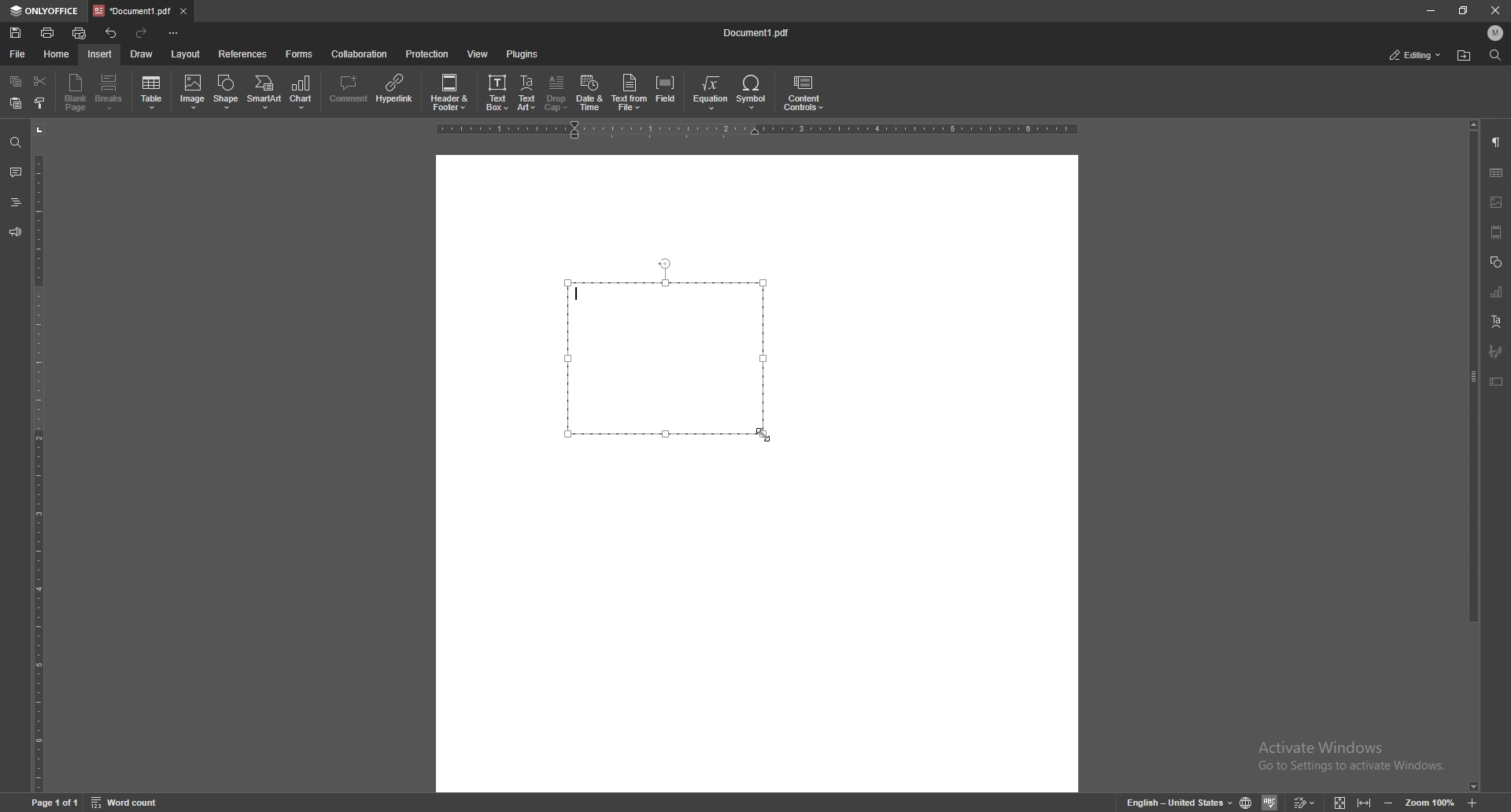 This screenshot has height=812, width=1511. Describe the element at coordinates (427, 53) in the screenshot. I see `protection` at that location.